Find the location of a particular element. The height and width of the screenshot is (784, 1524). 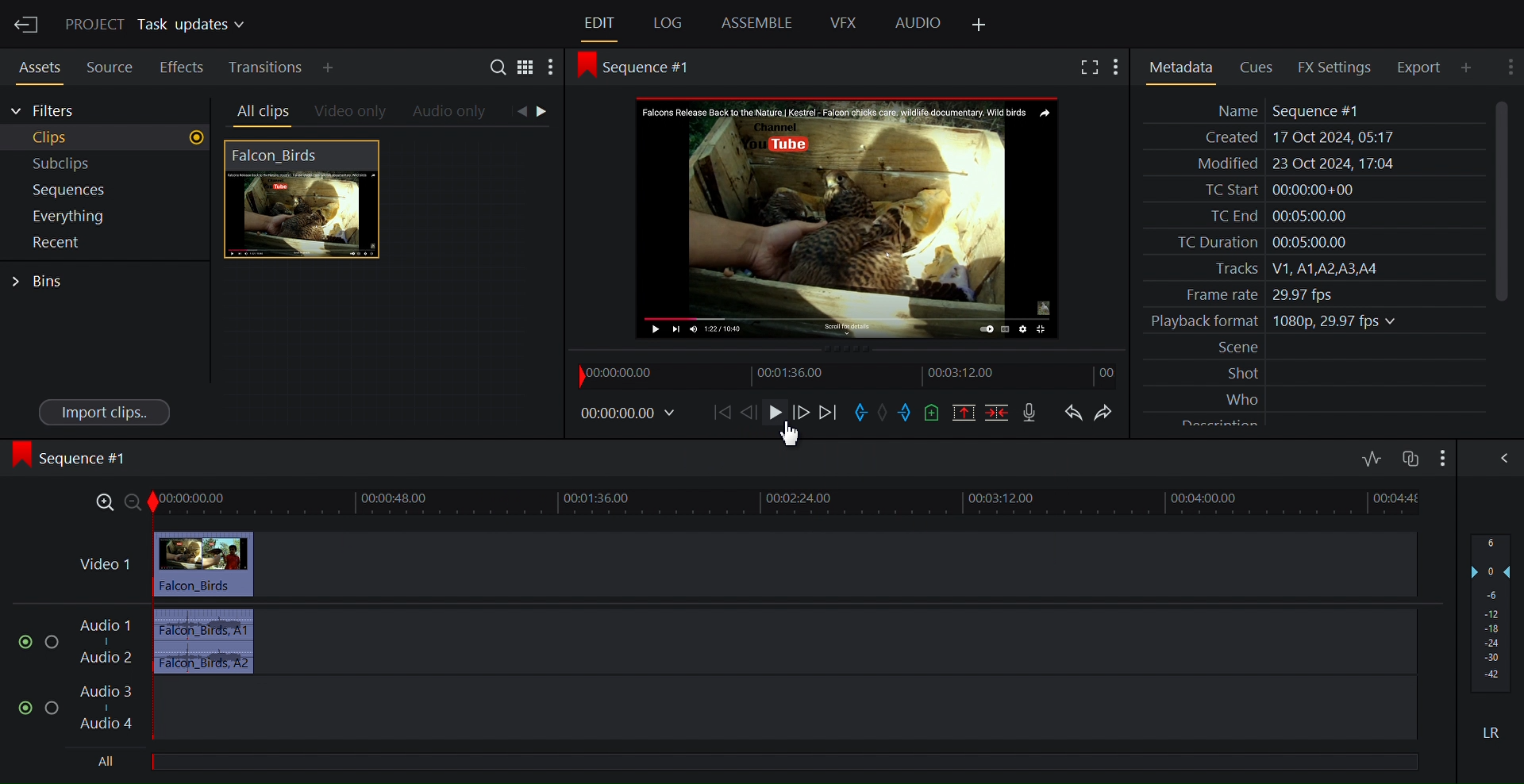

Name is located at coordinates (1312, 110).